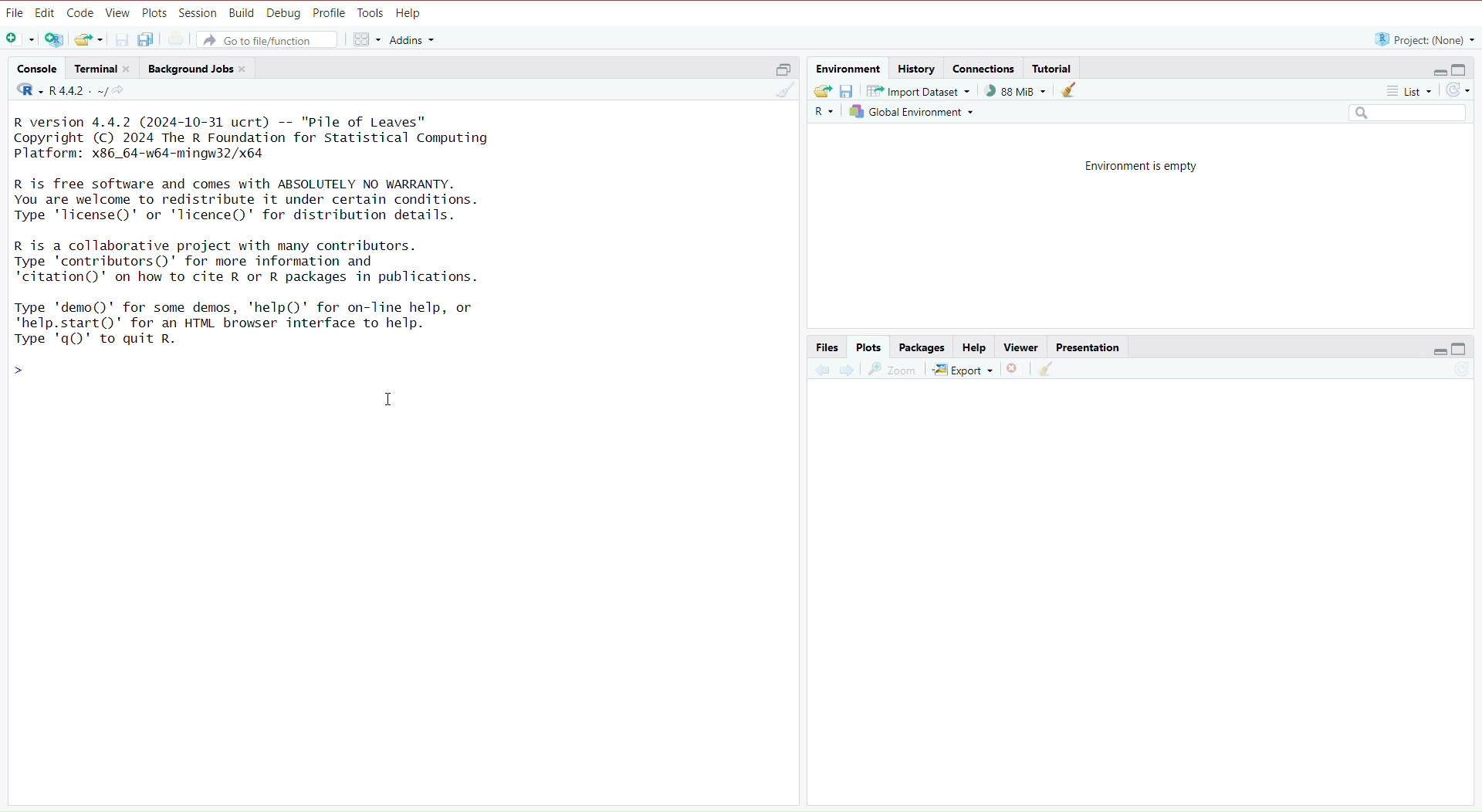  I want to click on project (None), so click(1423, 39).